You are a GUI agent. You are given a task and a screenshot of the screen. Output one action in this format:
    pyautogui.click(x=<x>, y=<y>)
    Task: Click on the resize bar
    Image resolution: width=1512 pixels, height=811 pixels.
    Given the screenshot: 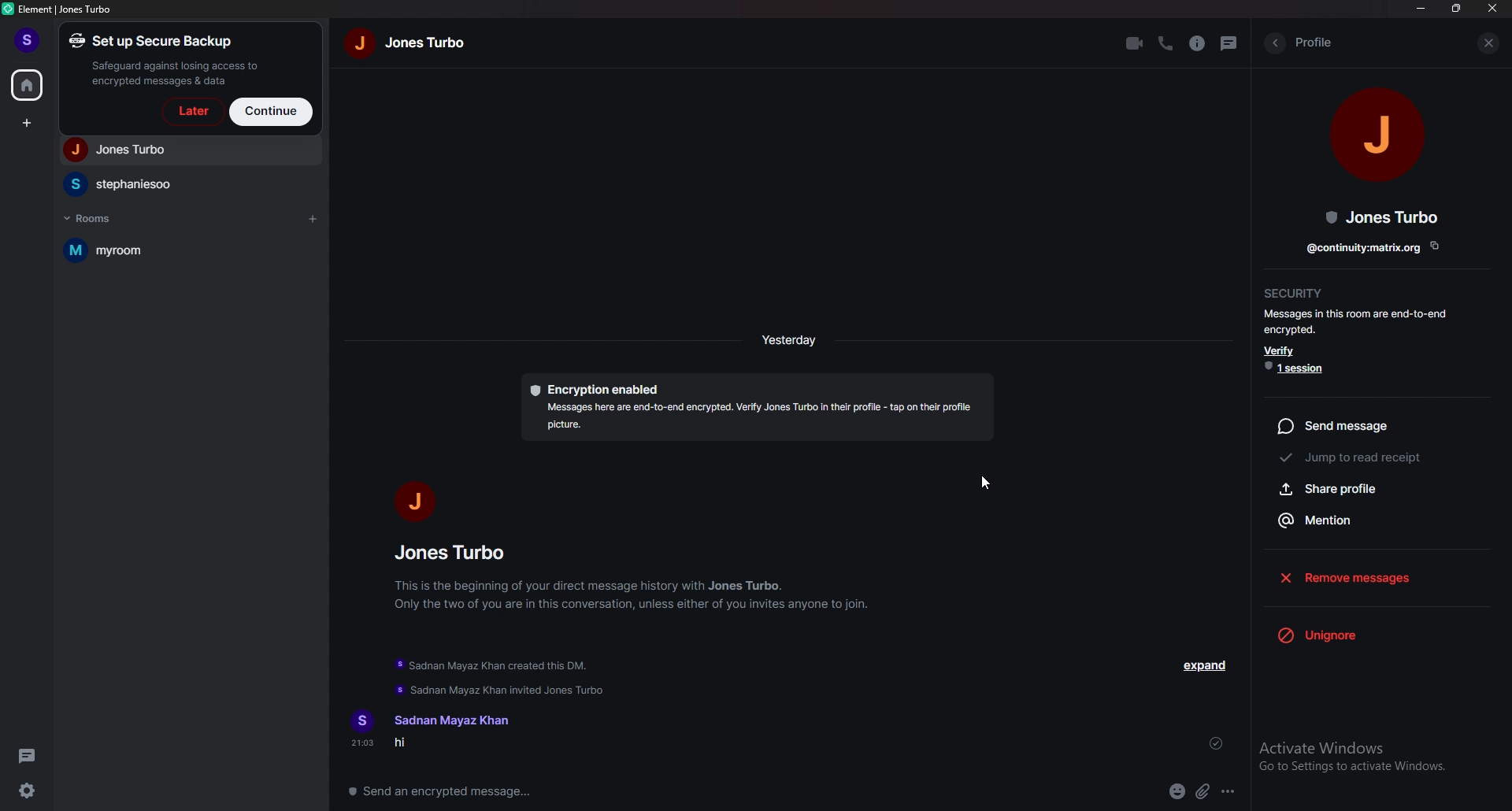 What is the action you would take?
    pyautogui.click(x=1246, y=413)
    